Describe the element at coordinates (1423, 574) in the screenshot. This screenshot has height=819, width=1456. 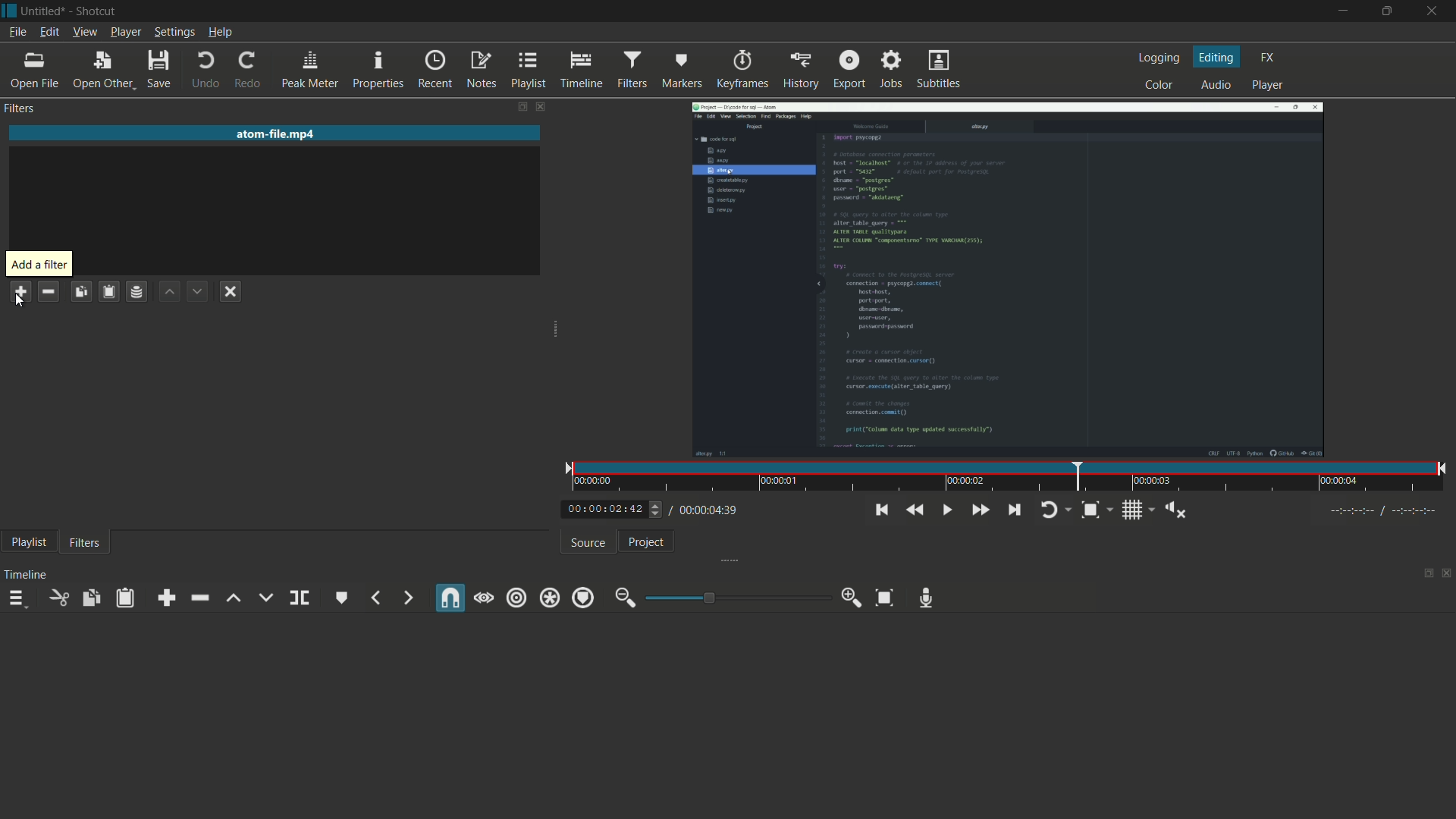
I see `change layout` at that location.